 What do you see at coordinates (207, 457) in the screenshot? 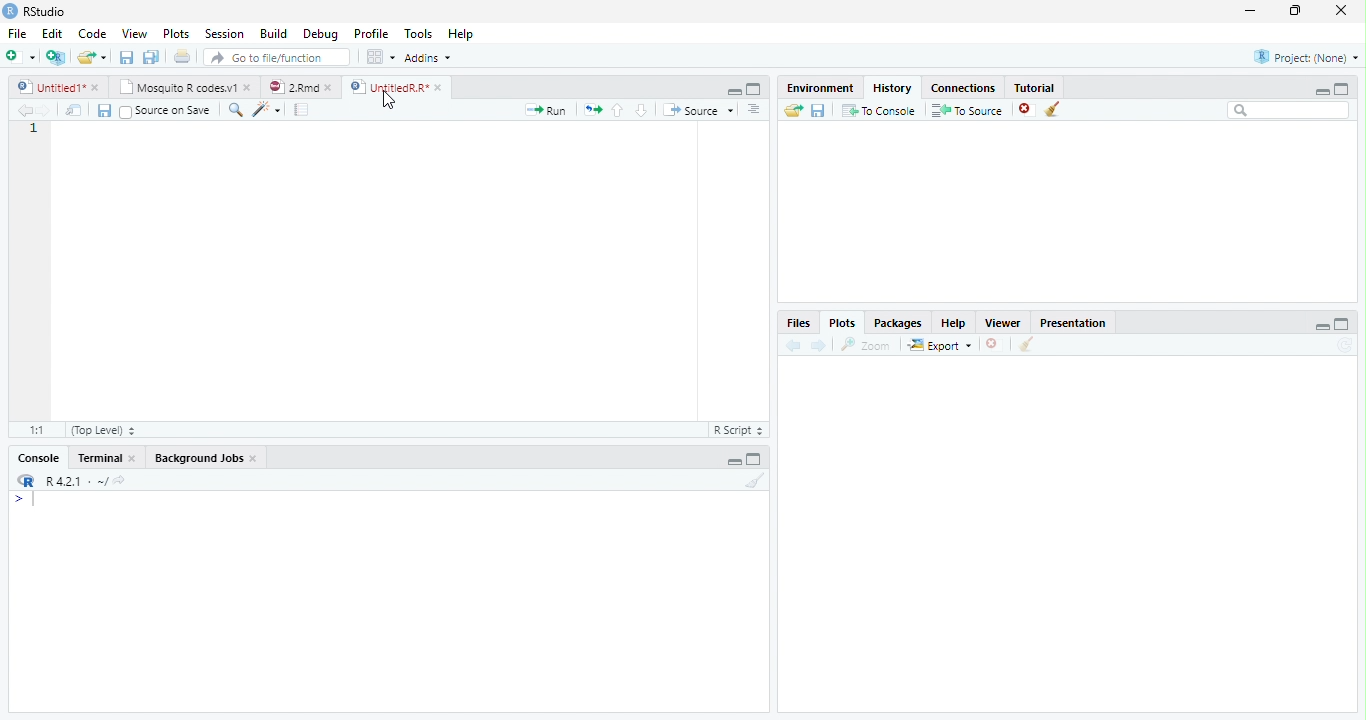
I see `Background Jobs` at bounding box center [207, 457].